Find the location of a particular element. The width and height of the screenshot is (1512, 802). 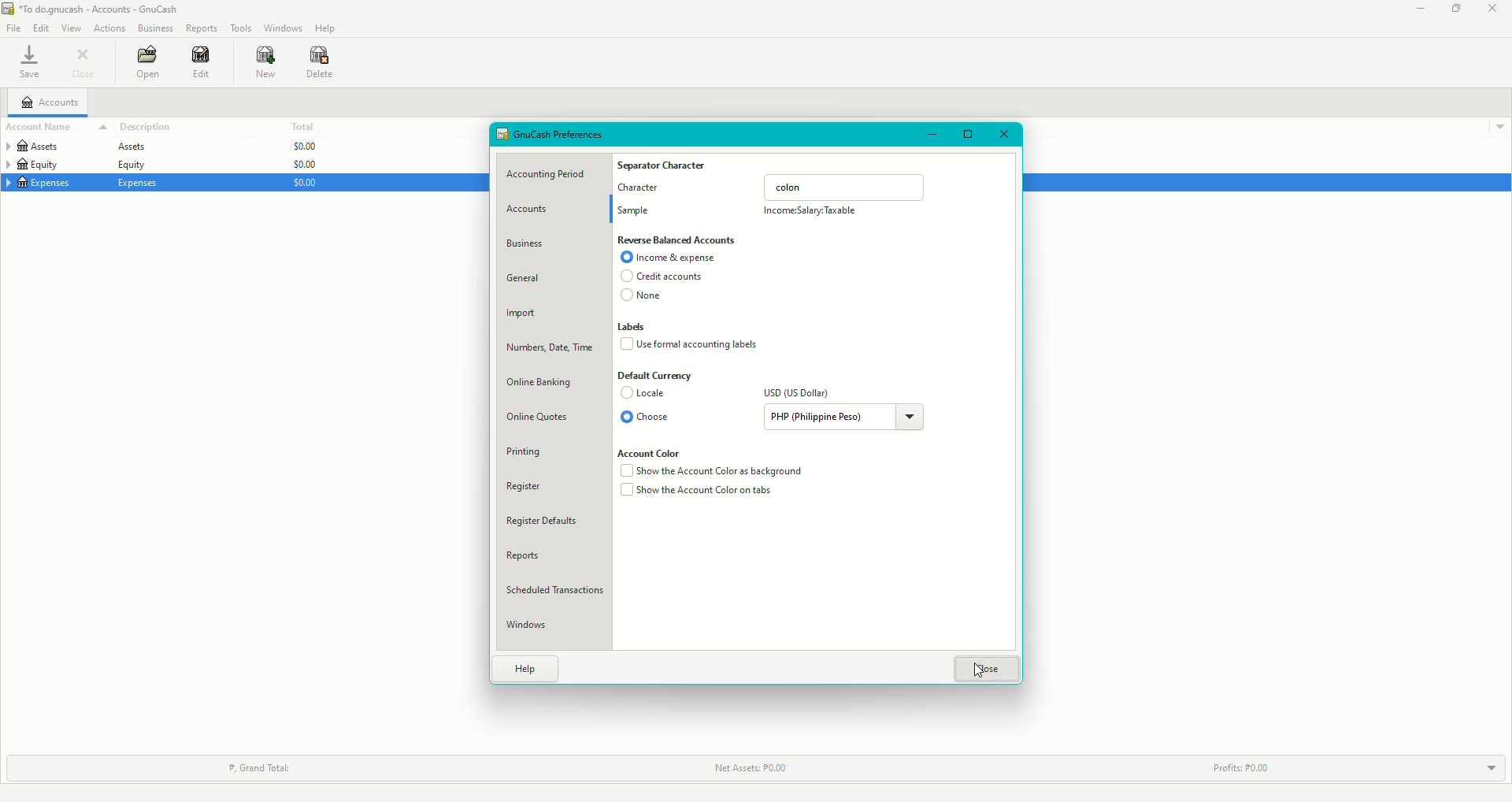

Edit is located at coordinates (39, 28).